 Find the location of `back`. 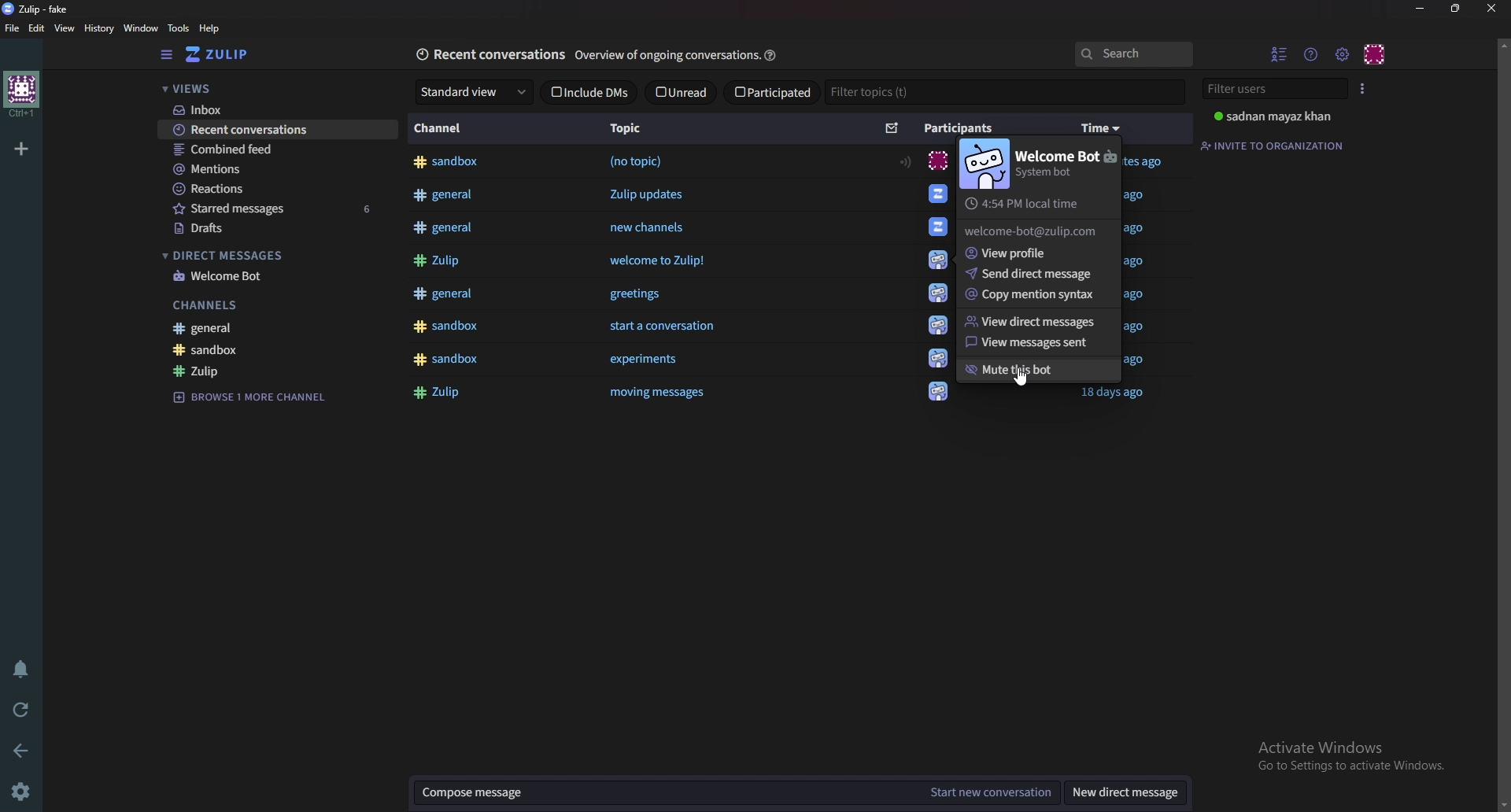

back is located at coordinates (17, 749).